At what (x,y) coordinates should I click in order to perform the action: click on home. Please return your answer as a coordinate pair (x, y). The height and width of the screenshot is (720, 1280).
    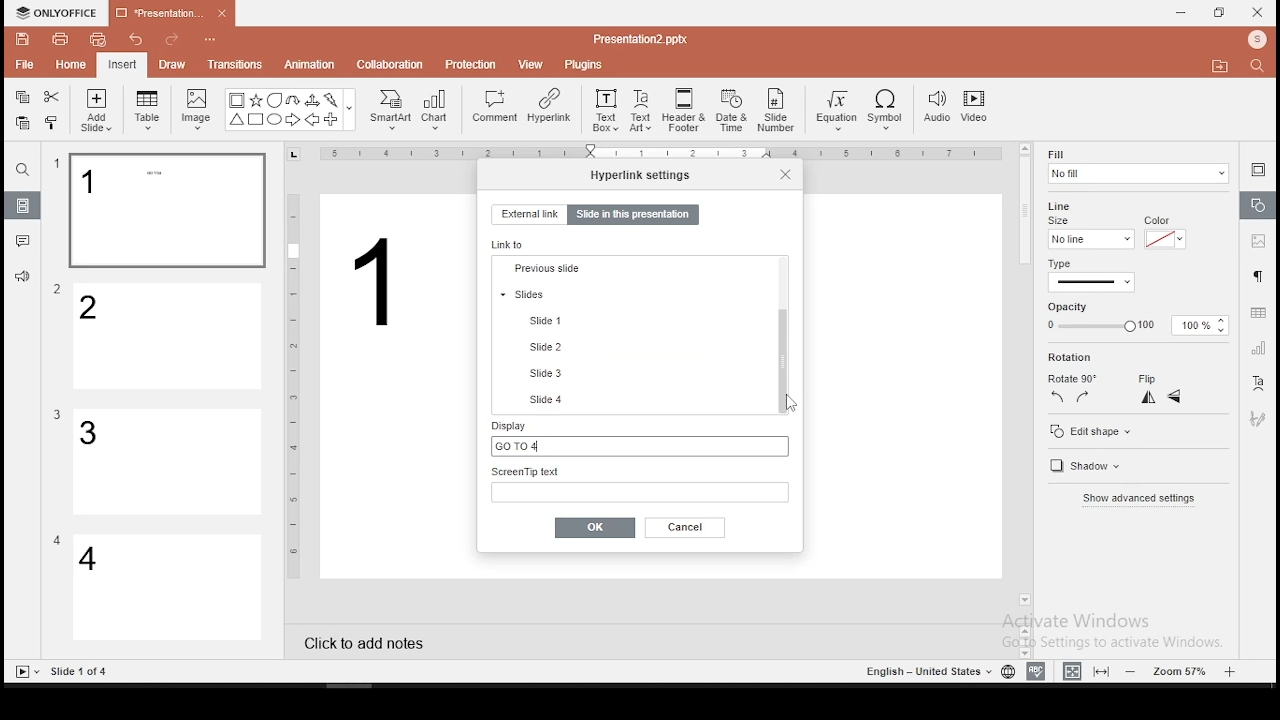
    Looking at the image, I should click on (69, 64).